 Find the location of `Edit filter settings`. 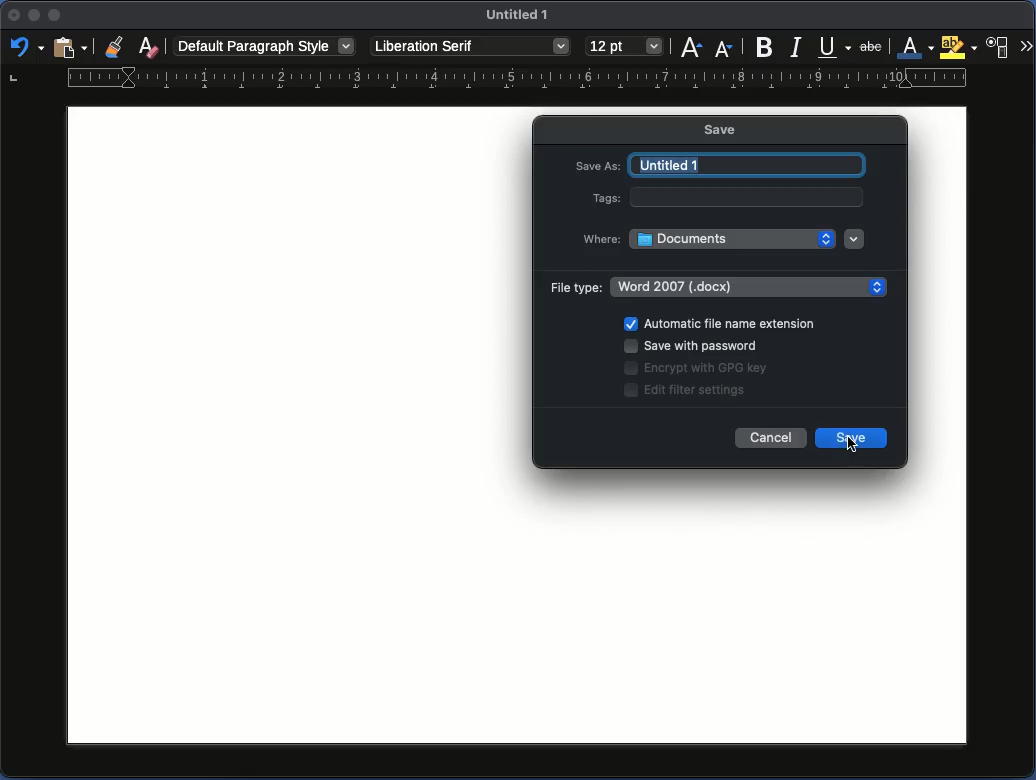

Edit filter settings is located at coordinates (686, 391).